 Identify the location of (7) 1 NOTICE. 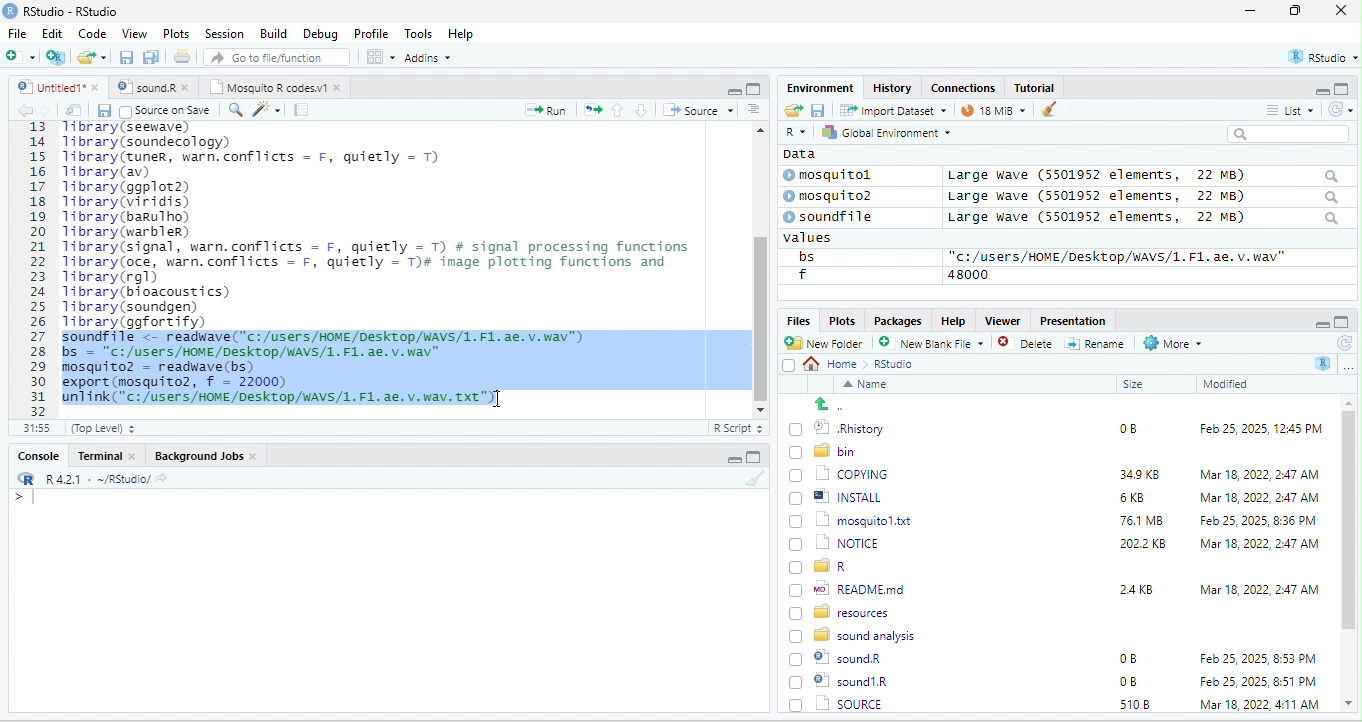
(832, 544).